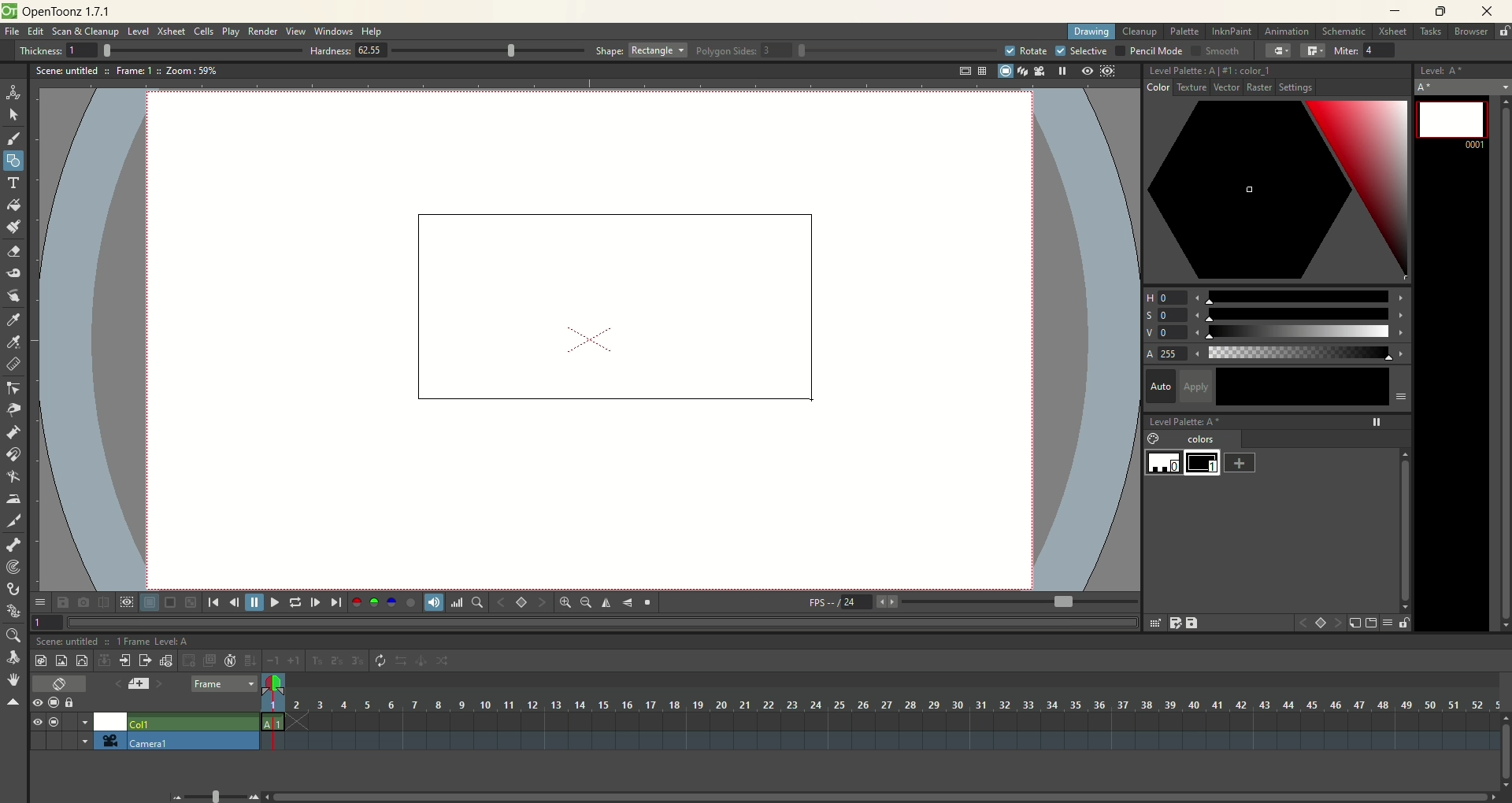  Describe the element at coordinates (79, 740) in the screenshot. I see `camera1` at that location.